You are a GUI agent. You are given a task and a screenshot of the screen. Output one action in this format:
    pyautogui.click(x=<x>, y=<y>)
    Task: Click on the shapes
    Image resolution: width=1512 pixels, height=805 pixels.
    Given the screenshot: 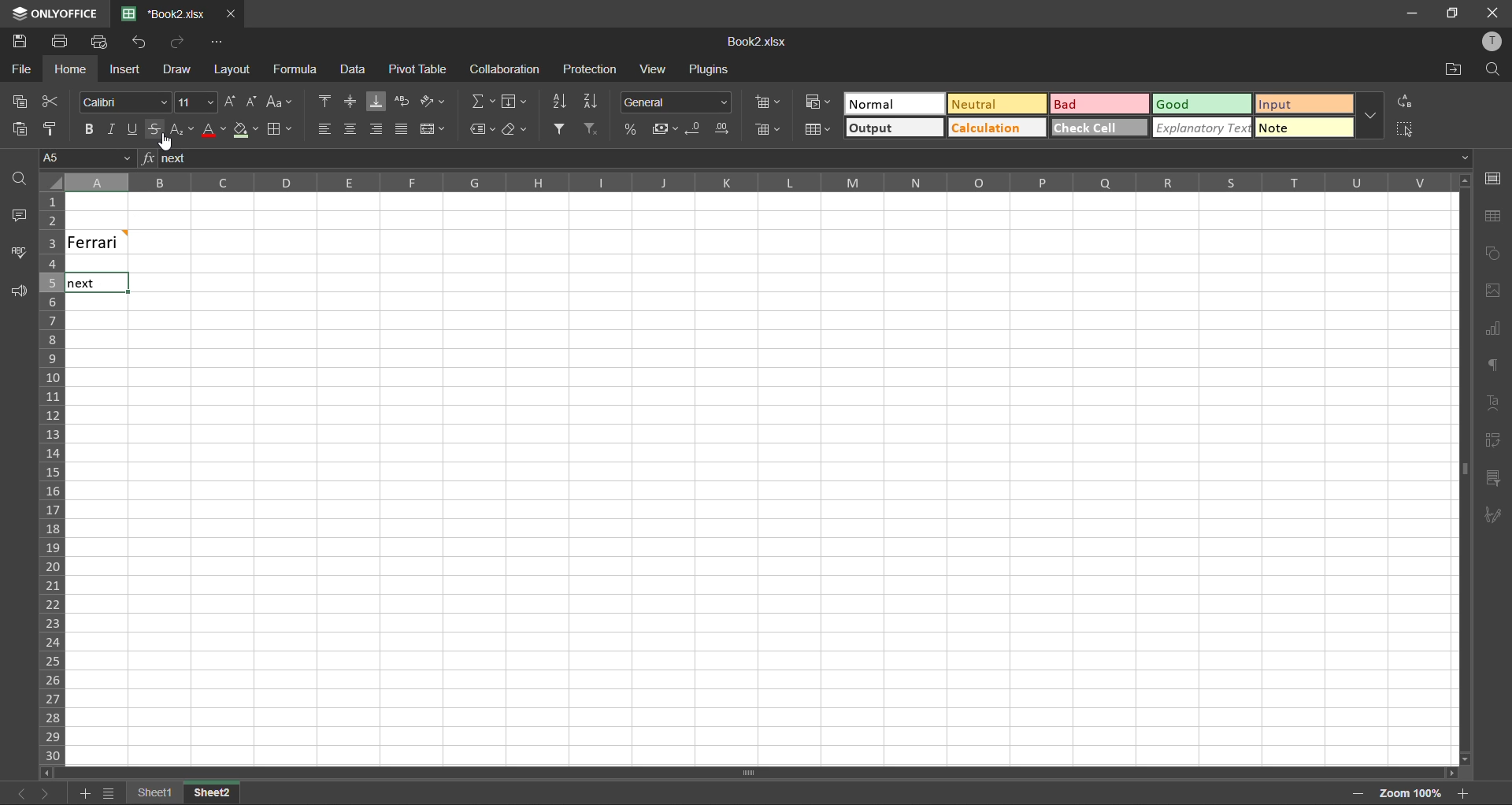 What is the action you would take?
    pyautogui.click(x=1494, y=254)
    